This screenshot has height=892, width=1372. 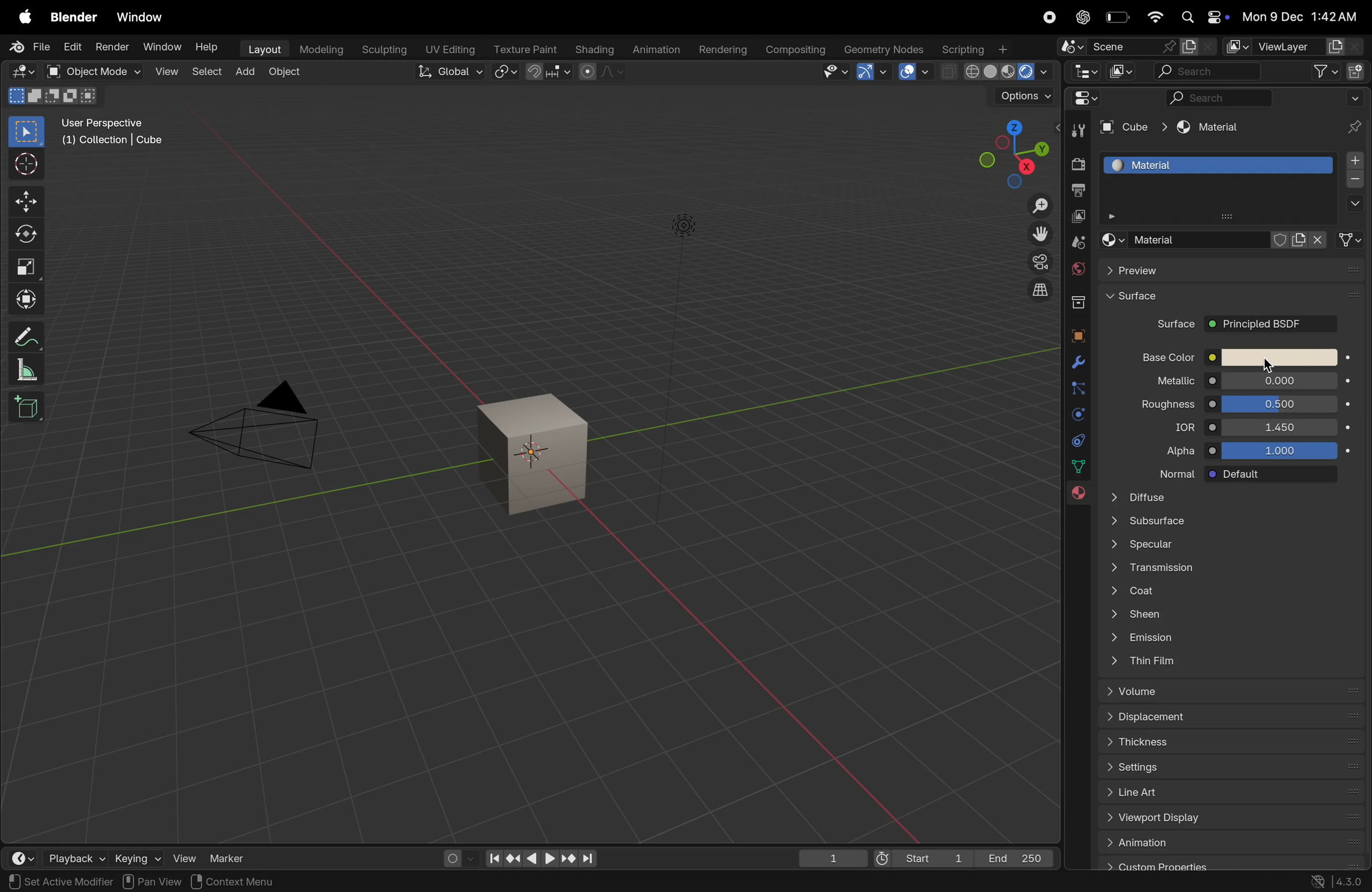 I want to click on output, so click(x=1076, y=192).